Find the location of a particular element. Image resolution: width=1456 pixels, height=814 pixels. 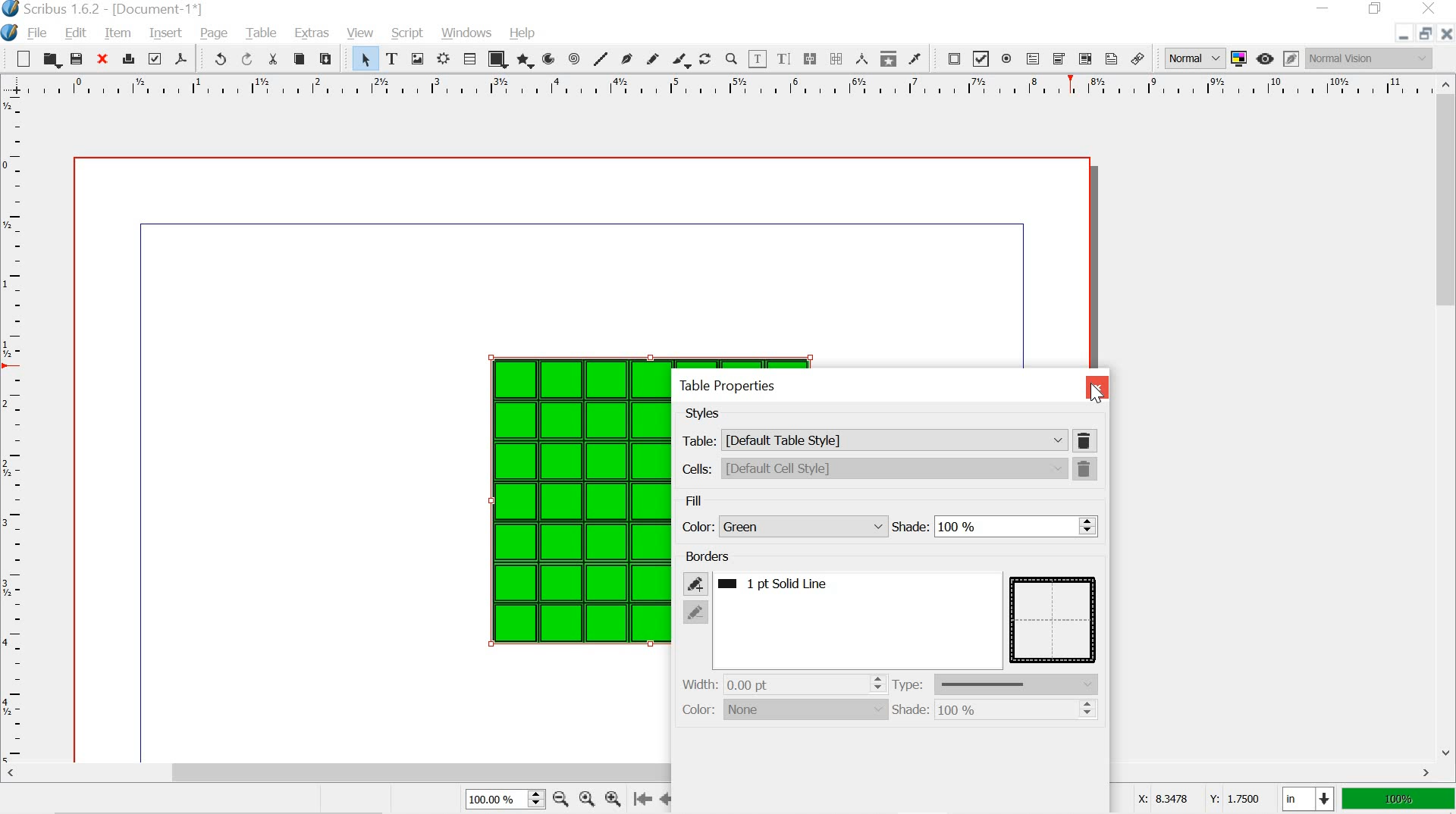

pdf list box is located at coordinates (1084, 58).